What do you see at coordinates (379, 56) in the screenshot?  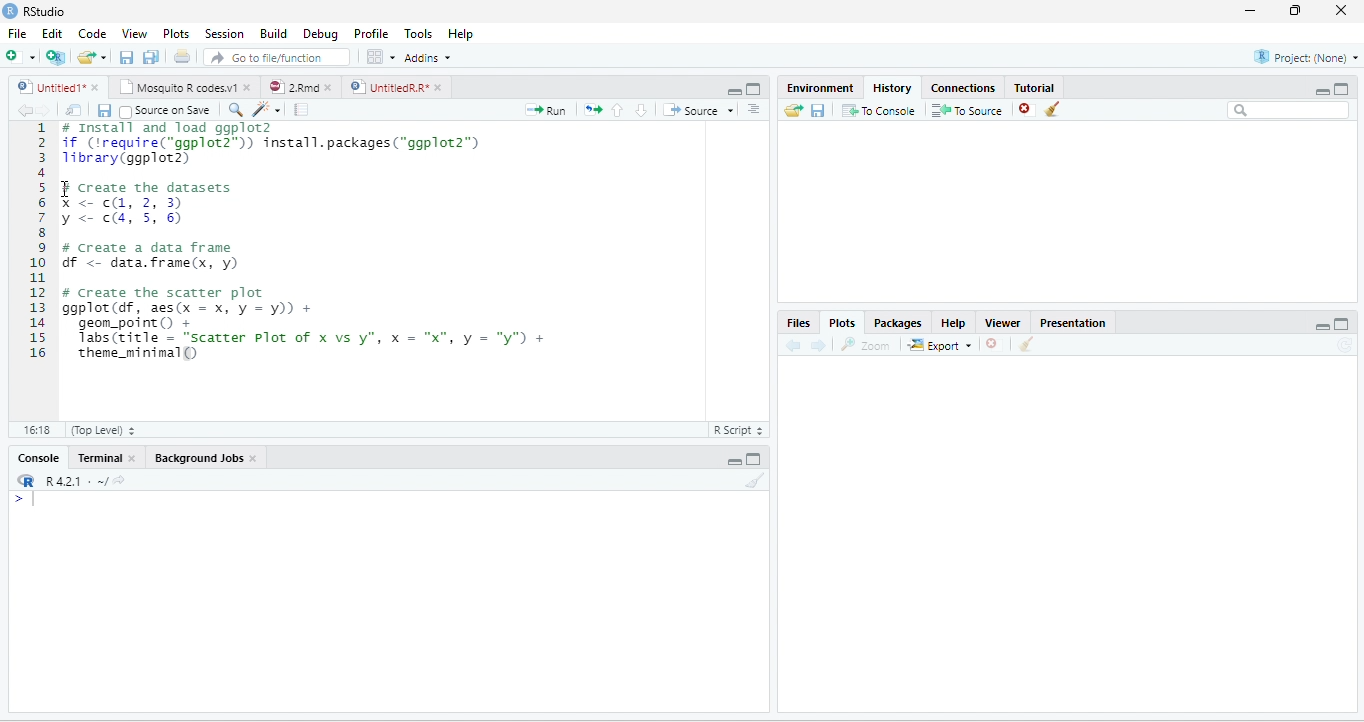 I see `Workspace panes` at bounding box center [379, 56].